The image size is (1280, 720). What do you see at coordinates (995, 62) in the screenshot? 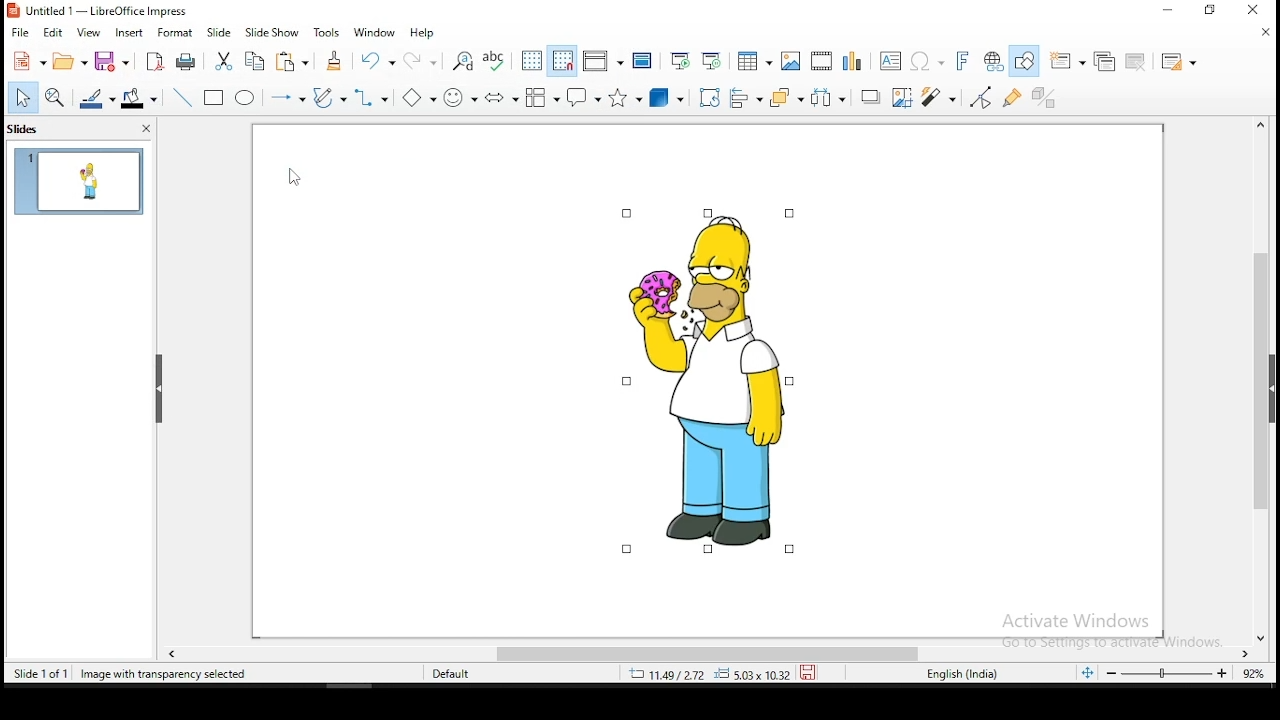
I see `insert hyperlink` at bounding box center [995, 62].